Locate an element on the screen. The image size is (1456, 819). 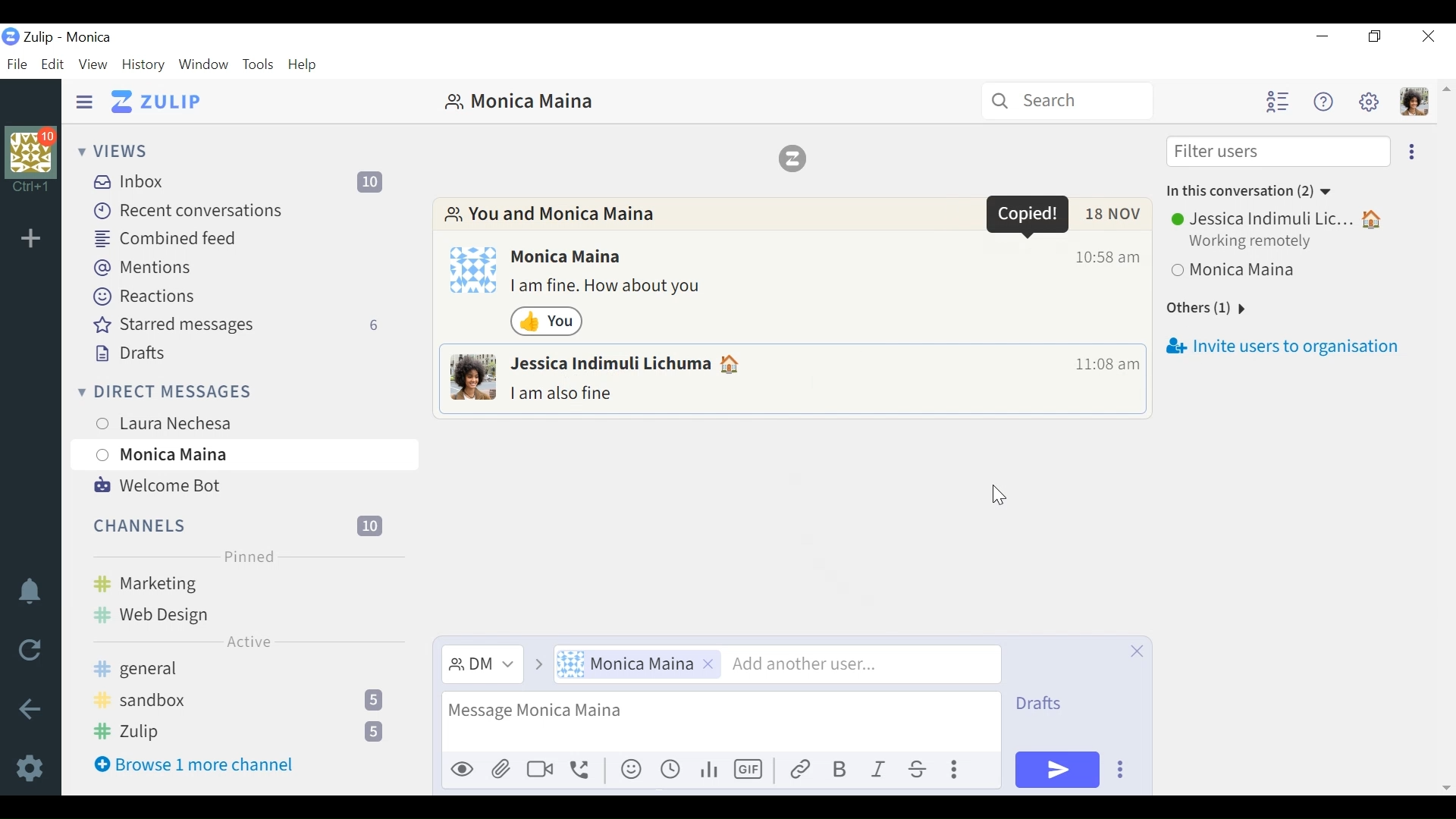
send is located at coordinates (1058, 770).